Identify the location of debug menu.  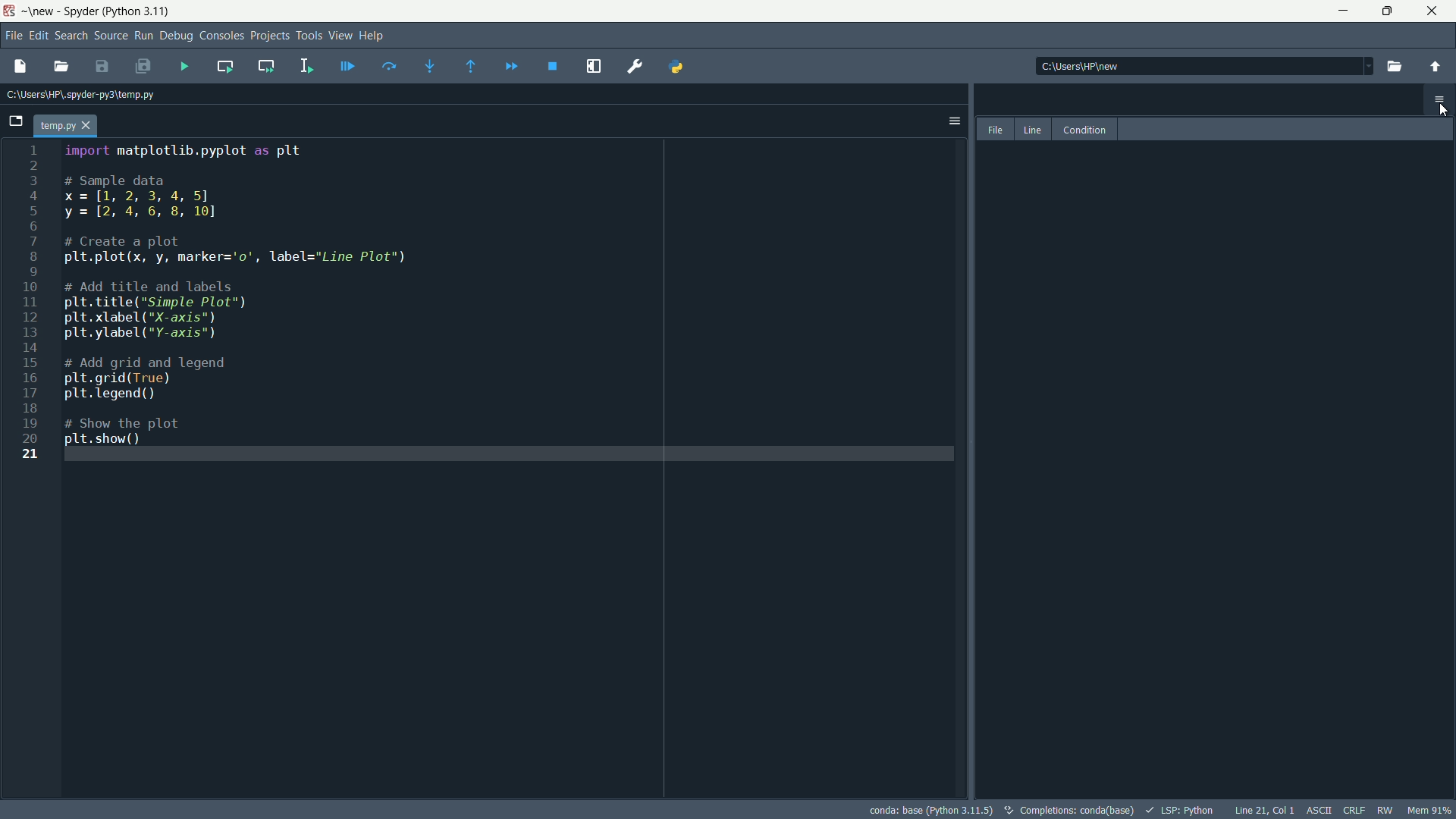
(177, 36).